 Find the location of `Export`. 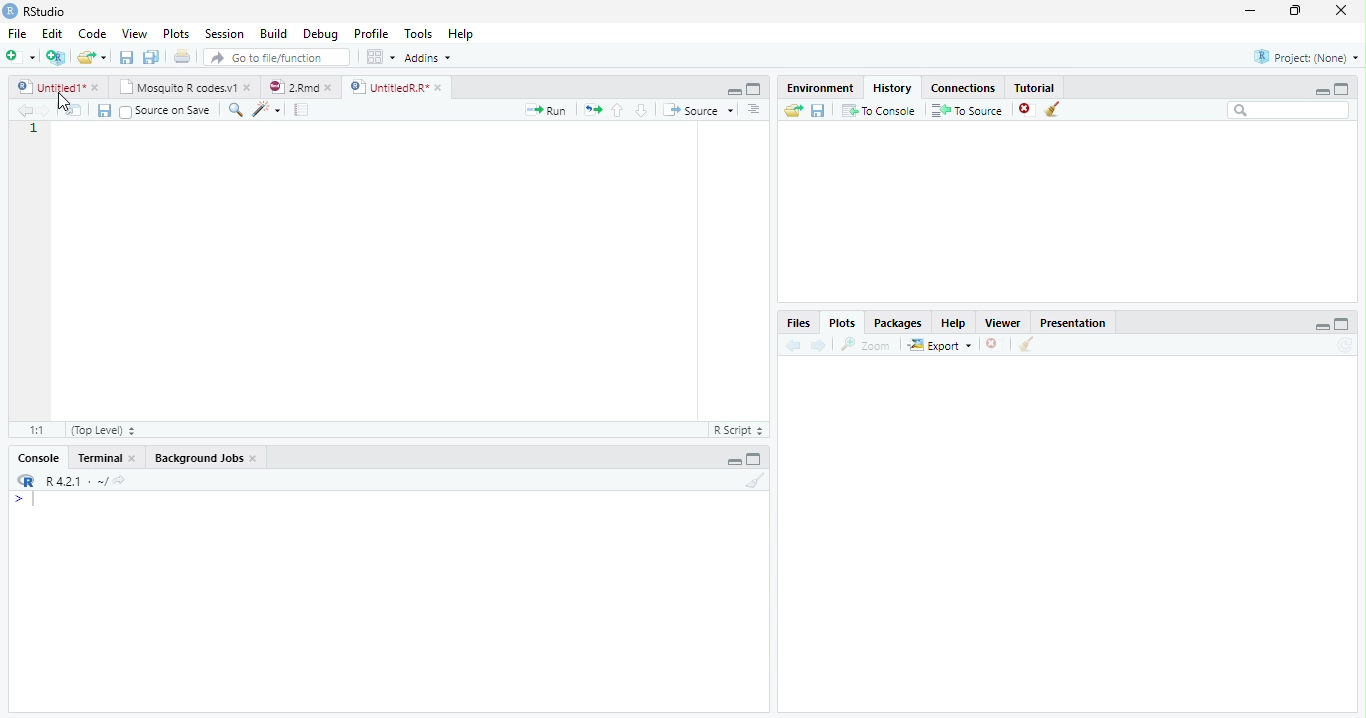

Export is located at coordinates (941, 344).